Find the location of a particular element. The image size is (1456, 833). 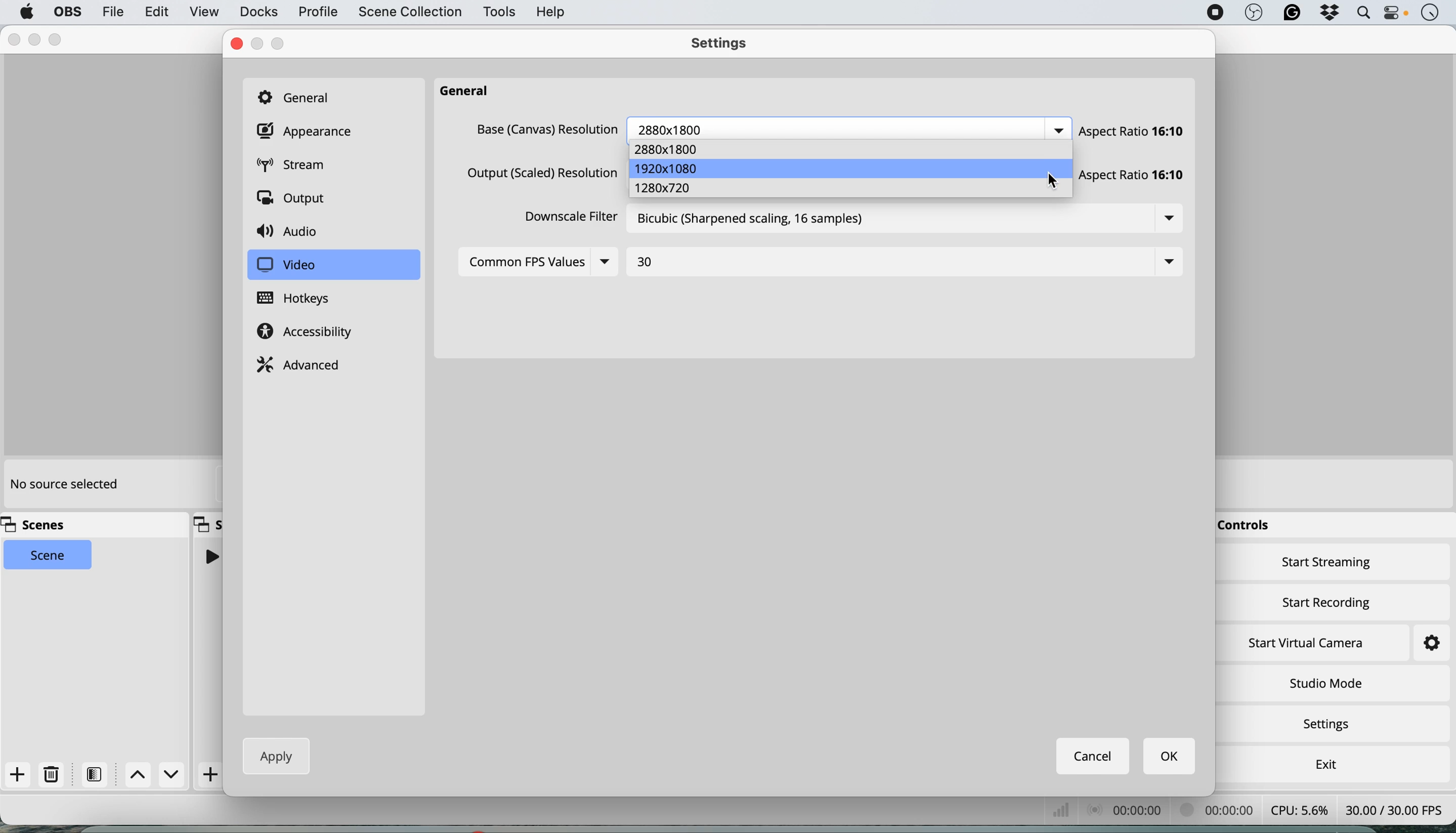

Aspect Ratio is located at coordinates (1137, 173).